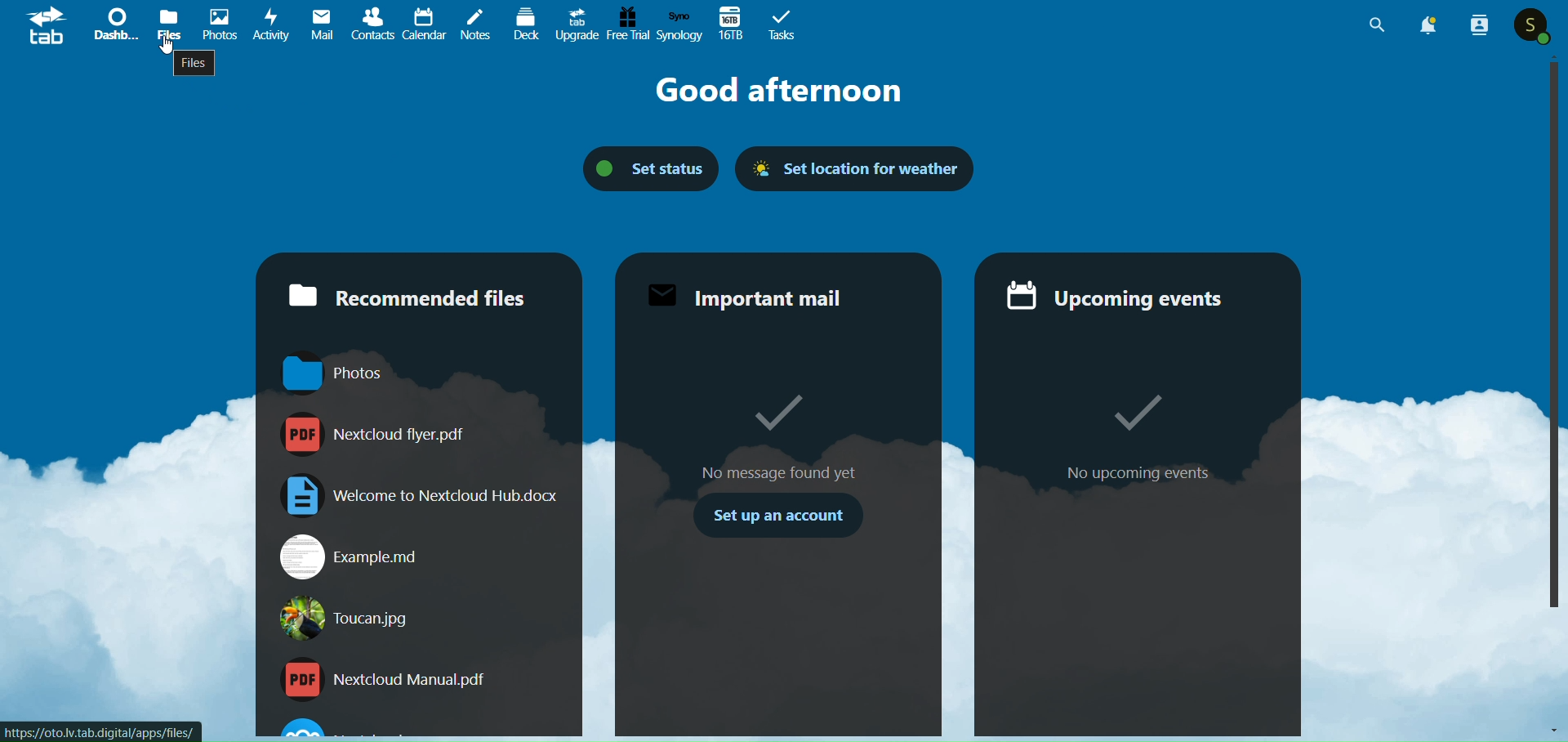 This screenshot has height=742, width=1568. Describe the element at coordinates (425, 25) in the screenshot. I see `calendar` at that location.